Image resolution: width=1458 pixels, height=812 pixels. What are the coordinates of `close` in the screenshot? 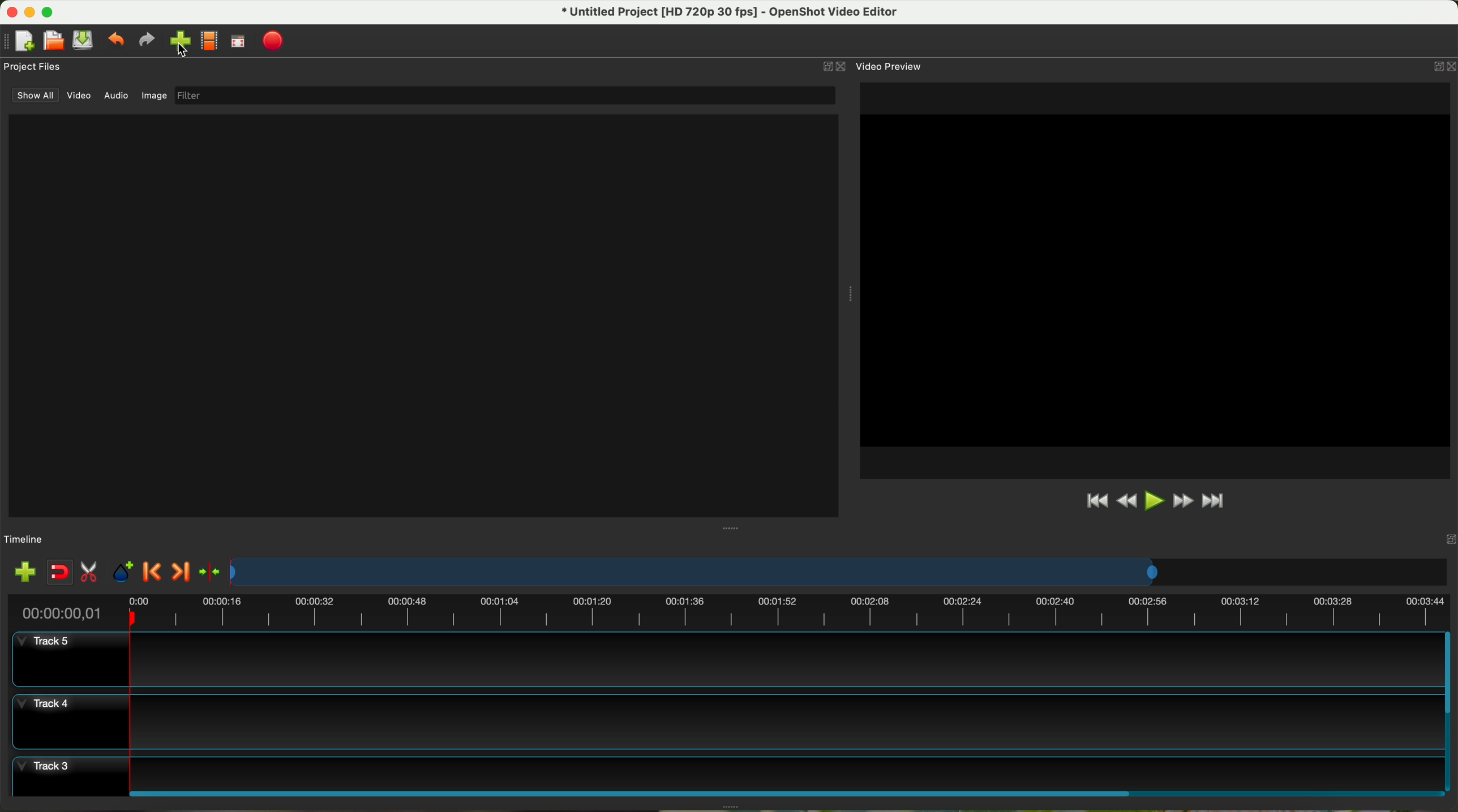 It's located at (835, 67).